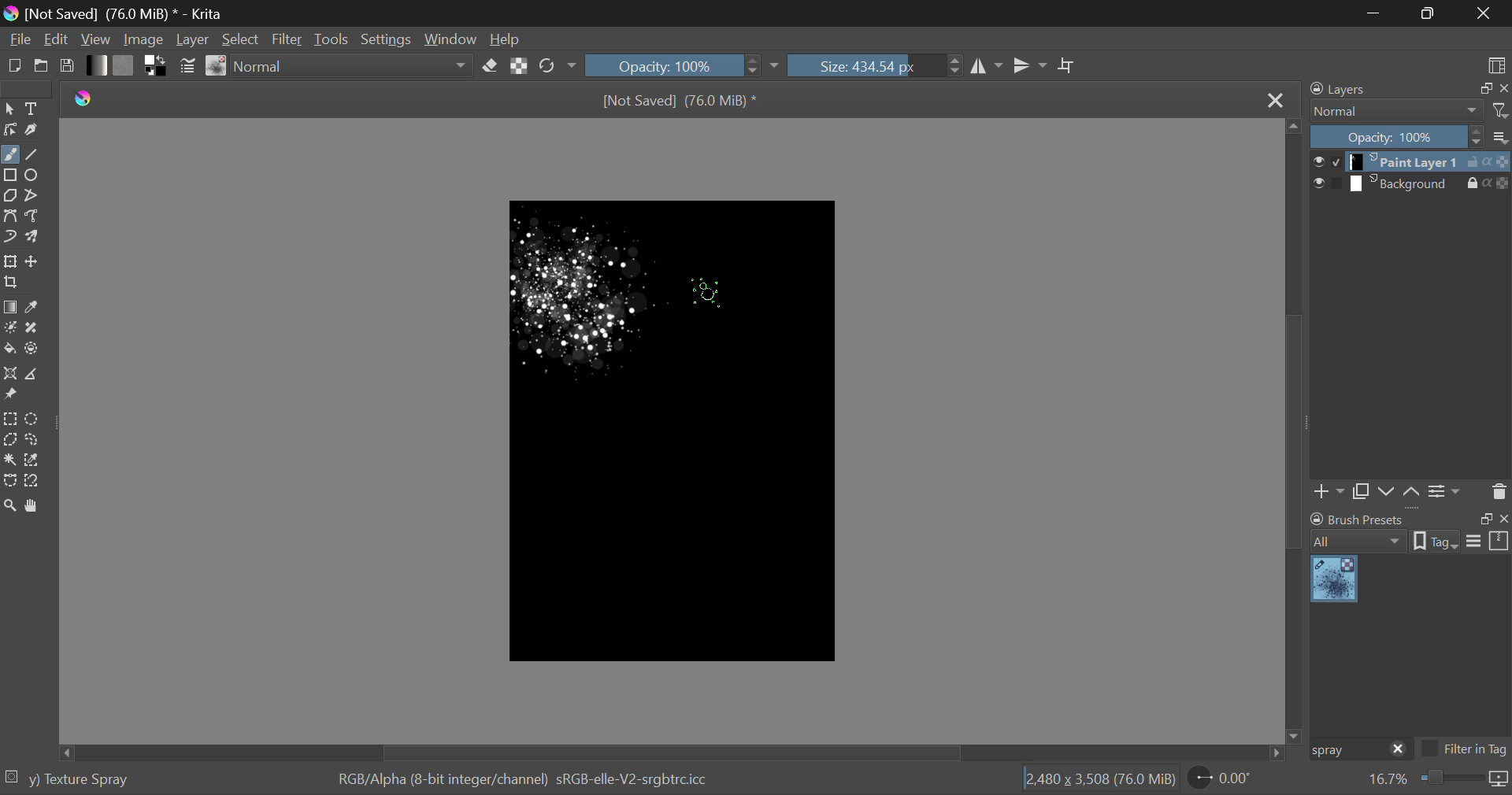 The image size is (1512, 795). Describe the element at coordinates (10, 420) in the screenshot. I see `Rectangular Selection` at that location.